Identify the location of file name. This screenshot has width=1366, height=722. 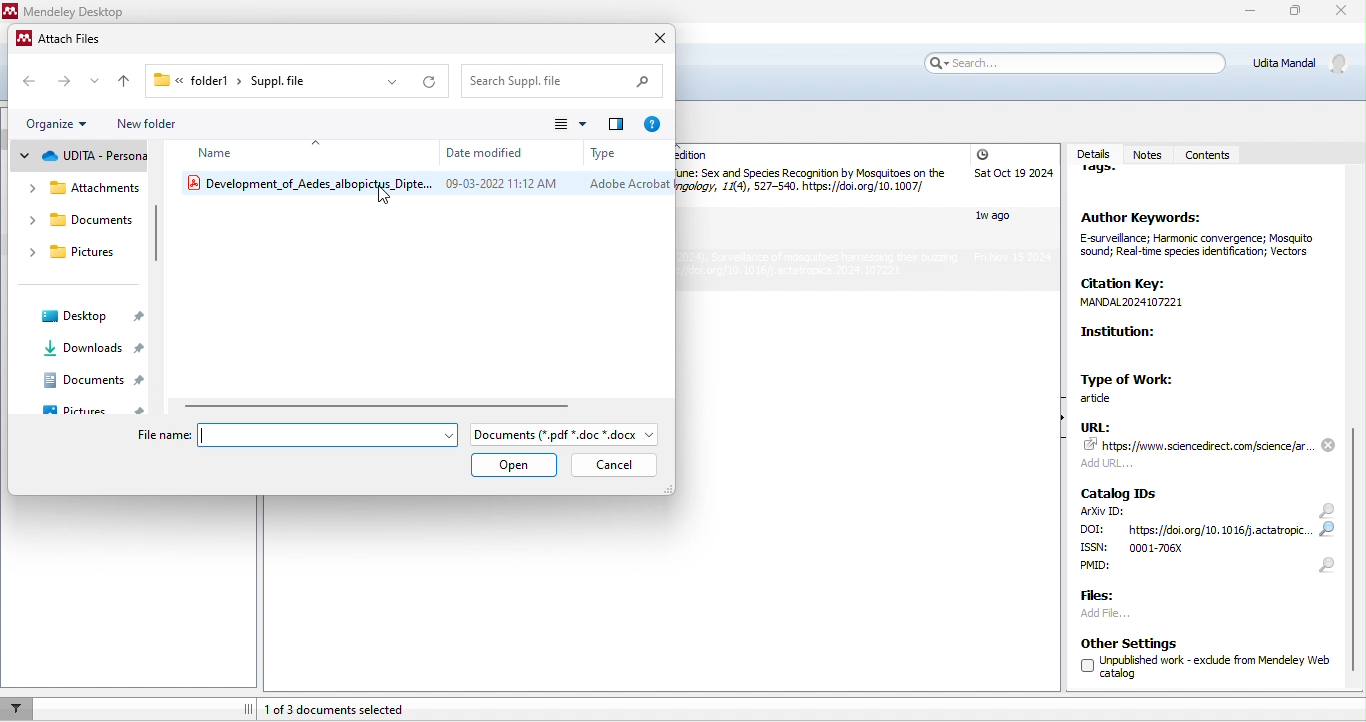
(166, 434).